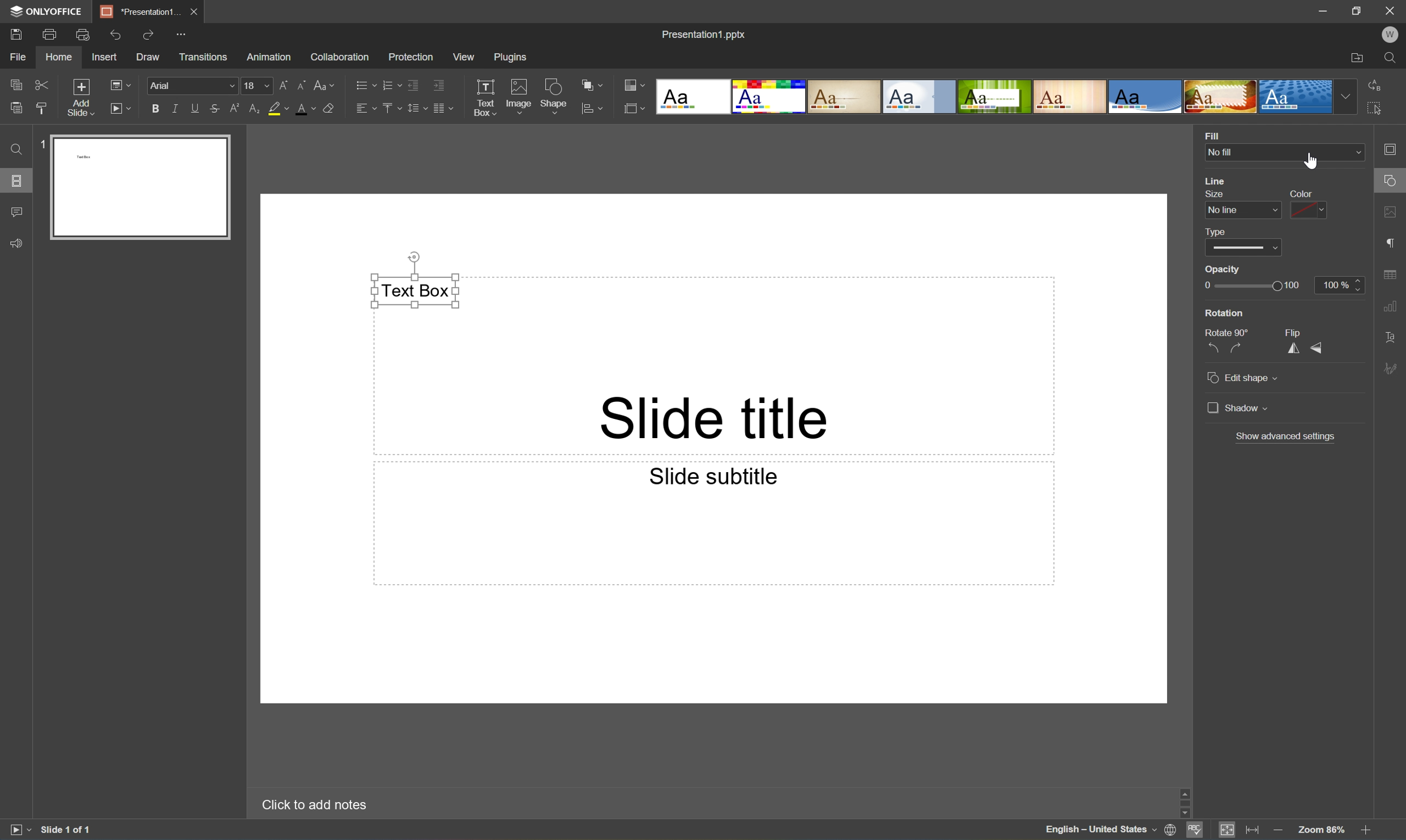  Describe the element at coordinates (1313, 209) in the screenshot. I see `Color` at that location.